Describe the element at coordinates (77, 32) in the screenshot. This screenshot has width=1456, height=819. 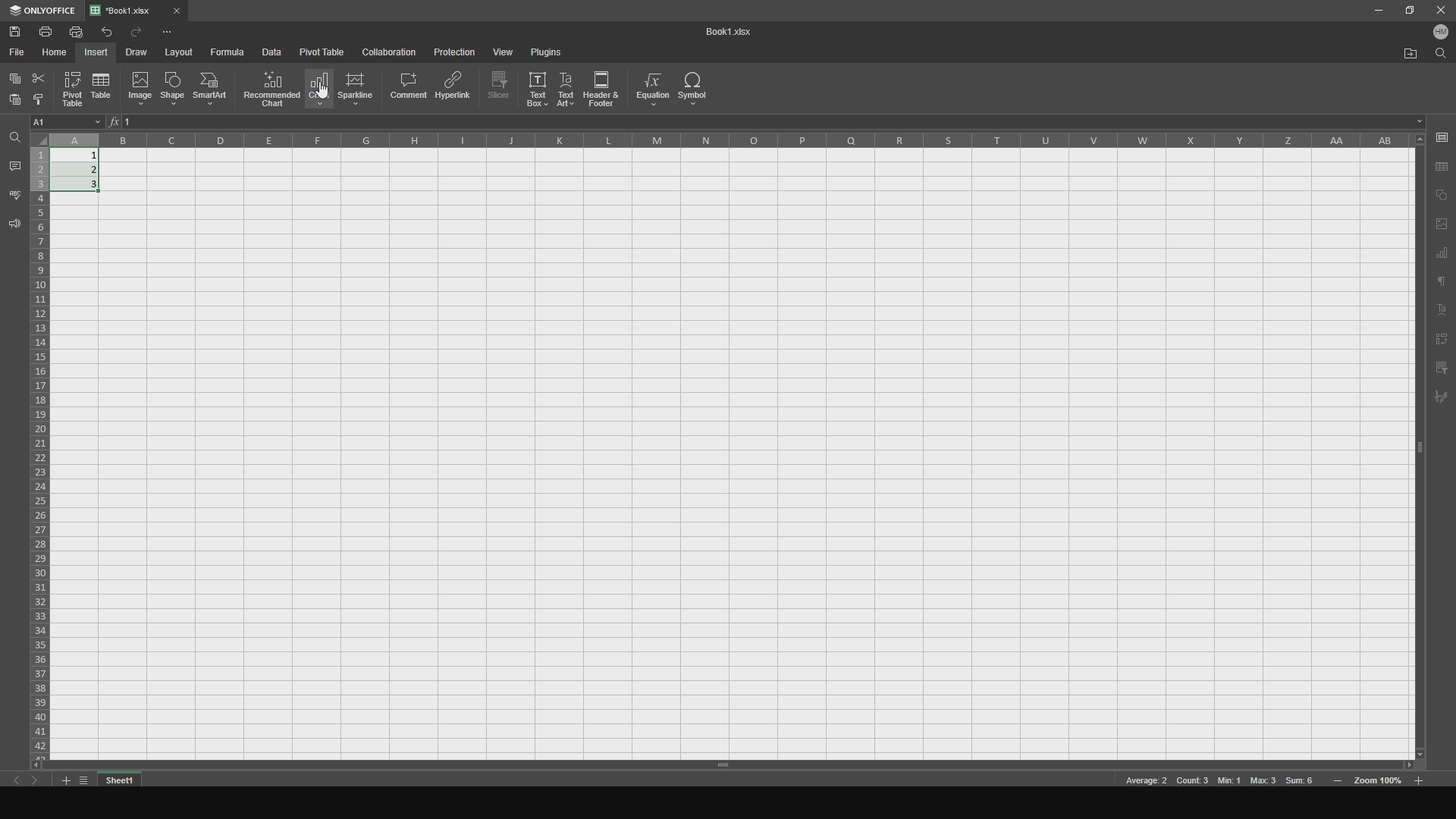
I see `print file` at that location.